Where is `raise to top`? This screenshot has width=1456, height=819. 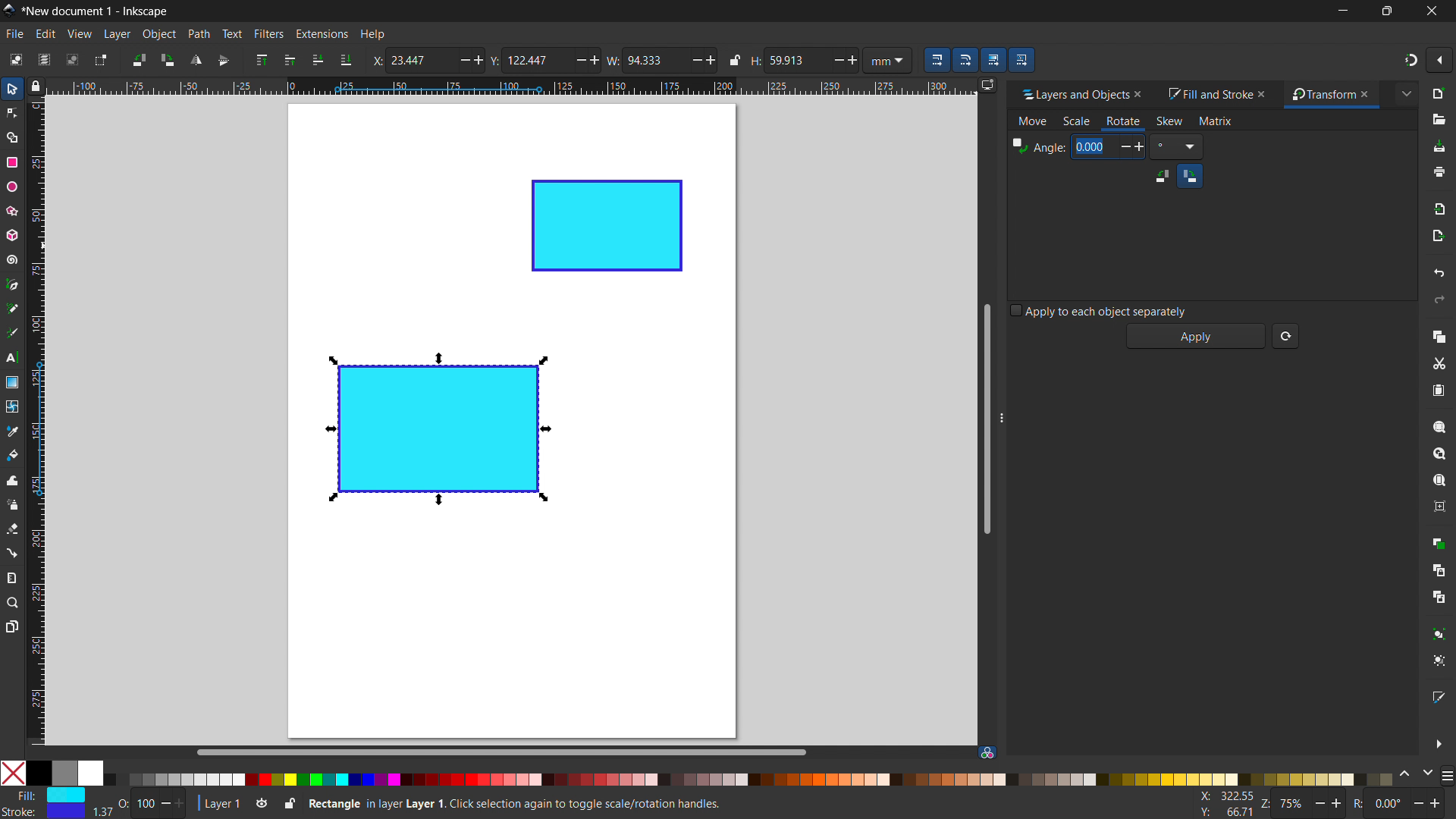
raise to top is located at coordinates (262, 60).